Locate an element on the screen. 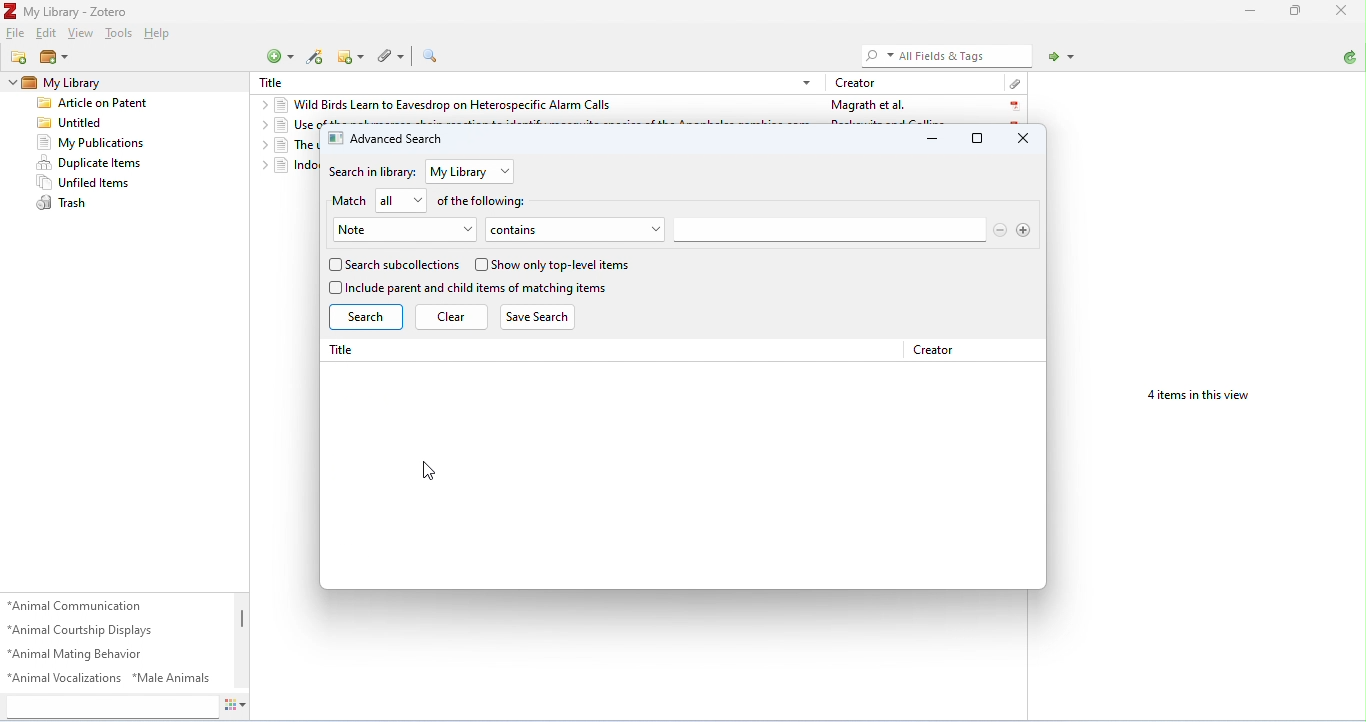 This screenshot has width=1366, height=722. sync with zotero.org is located at coordinates (1351, 58).